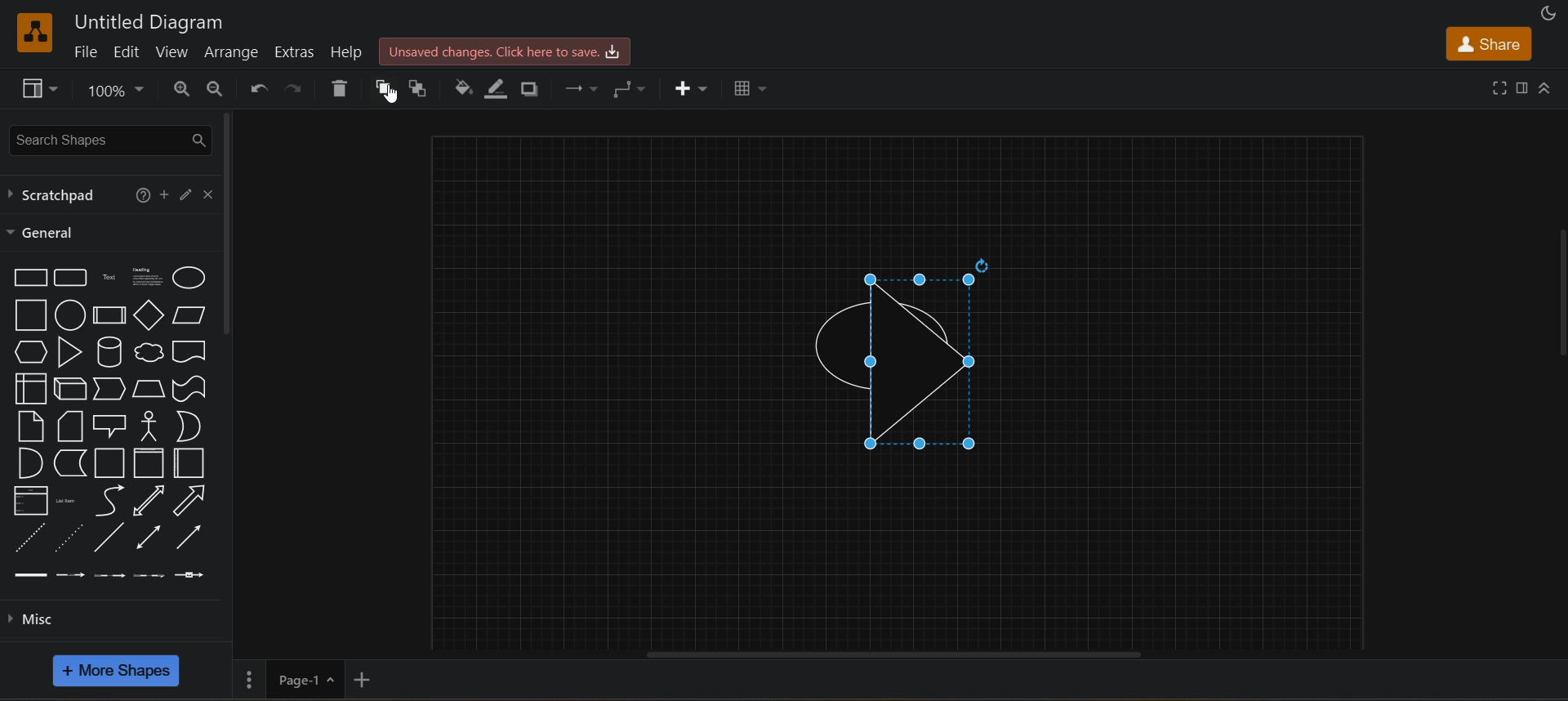  What do you see at coordinates (69, 353) in the screenshot?
I see `triangle` at bounding box center [69, 353].